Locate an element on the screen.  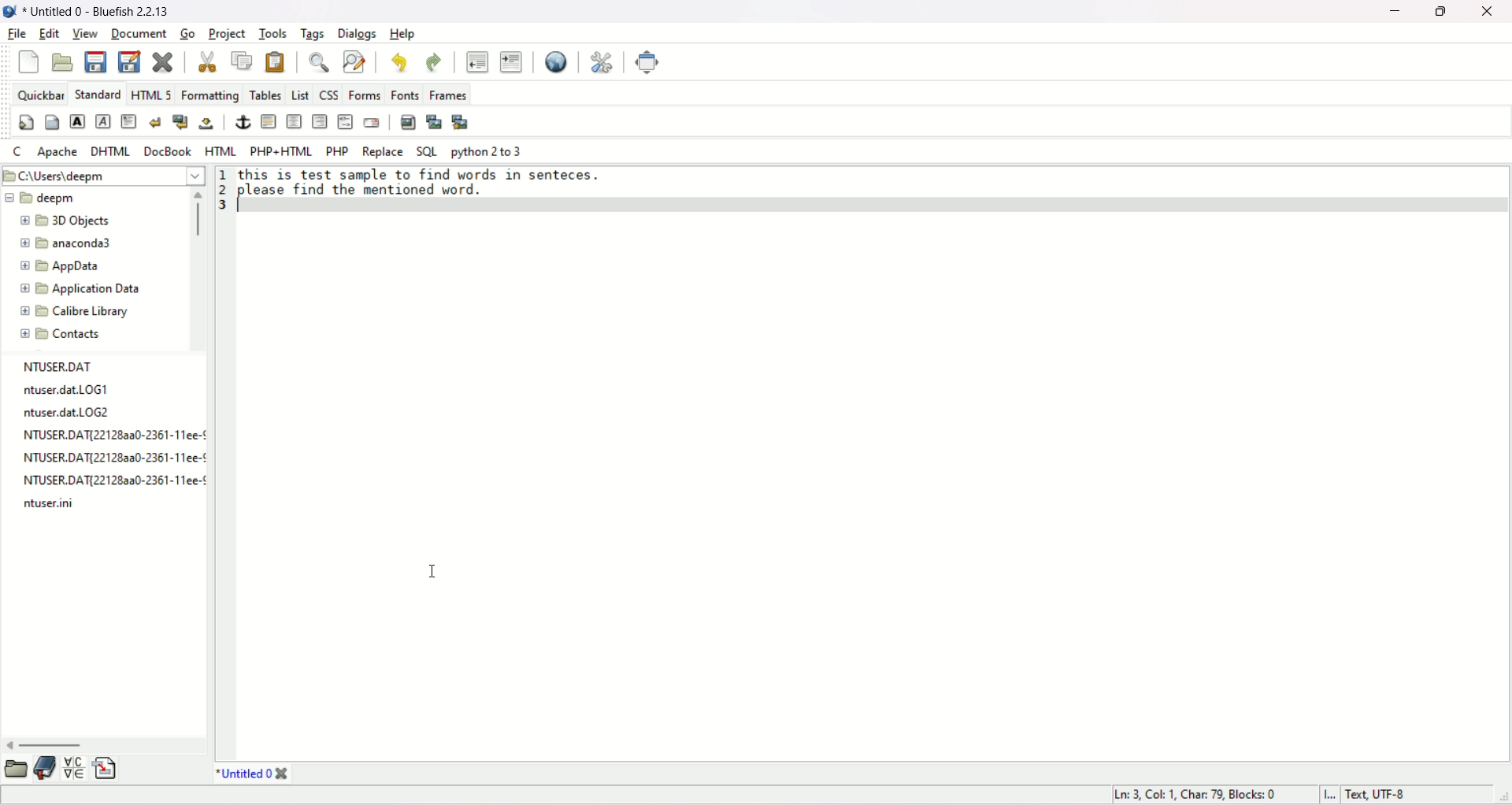
save as is located at coordinates (130, 60).